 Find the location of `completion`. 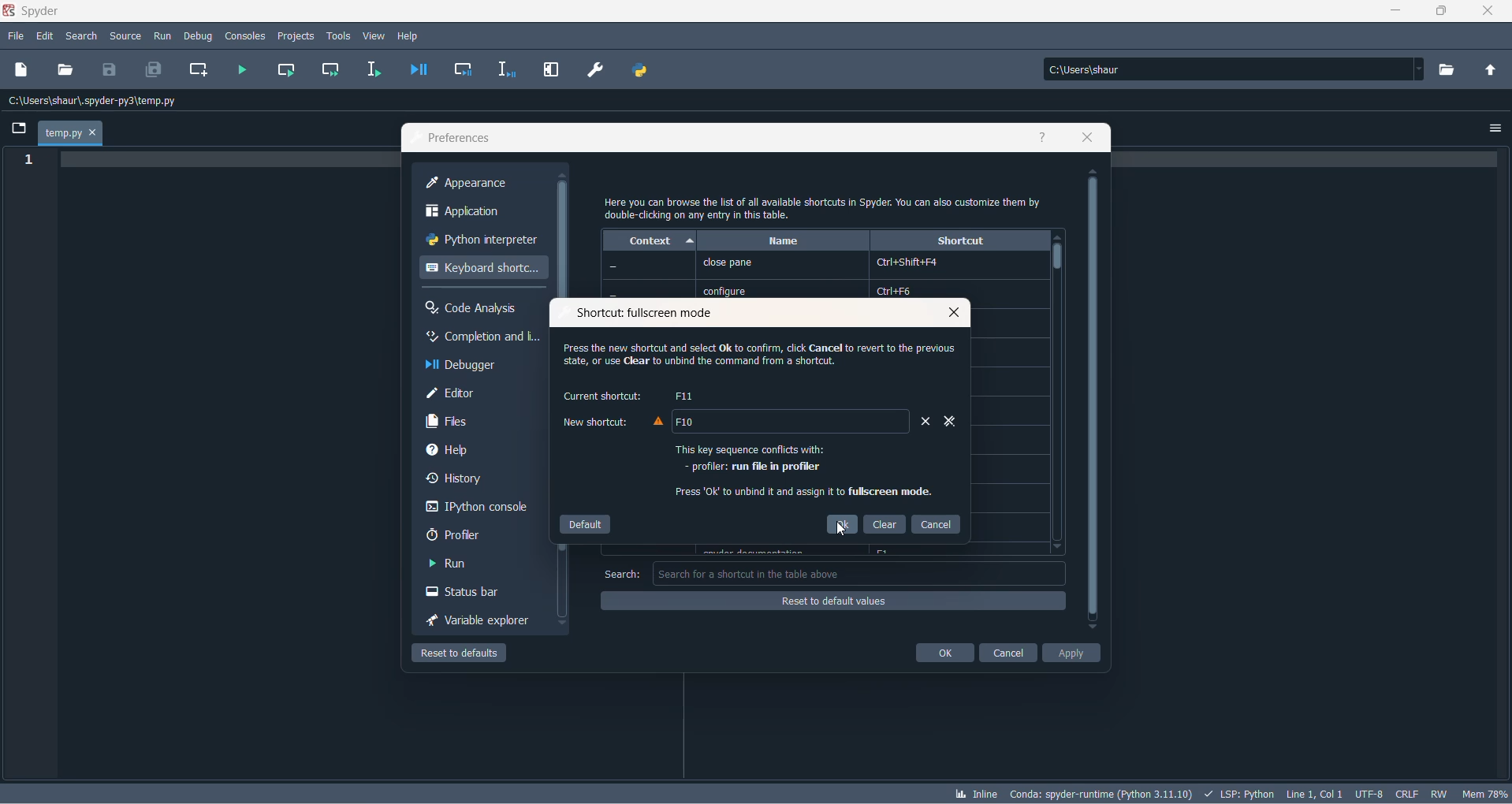

completion is located at coordinates (481, 338).